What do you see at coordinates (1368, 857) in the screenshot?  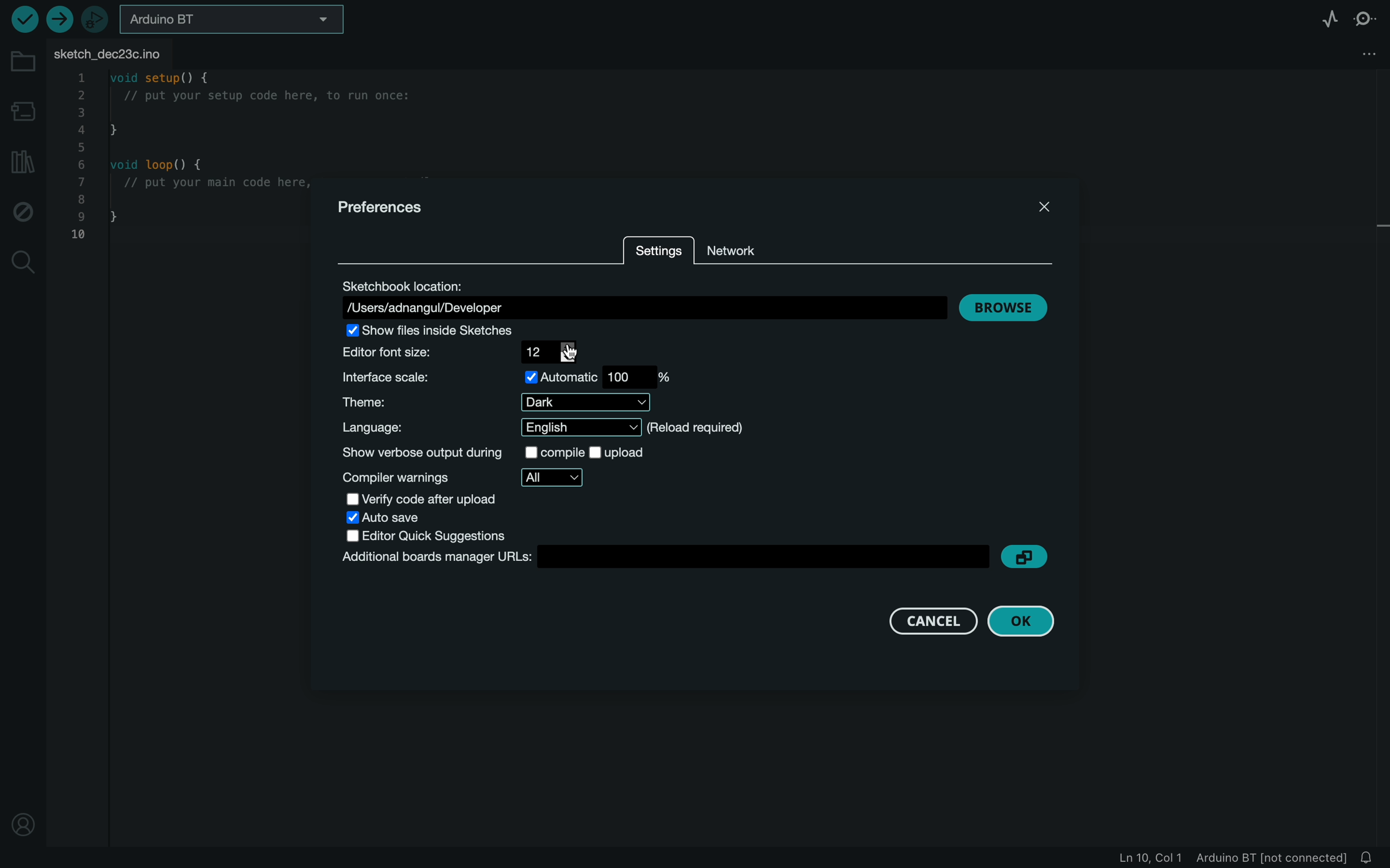 I see `notification` at bounding box center [1368, 857].